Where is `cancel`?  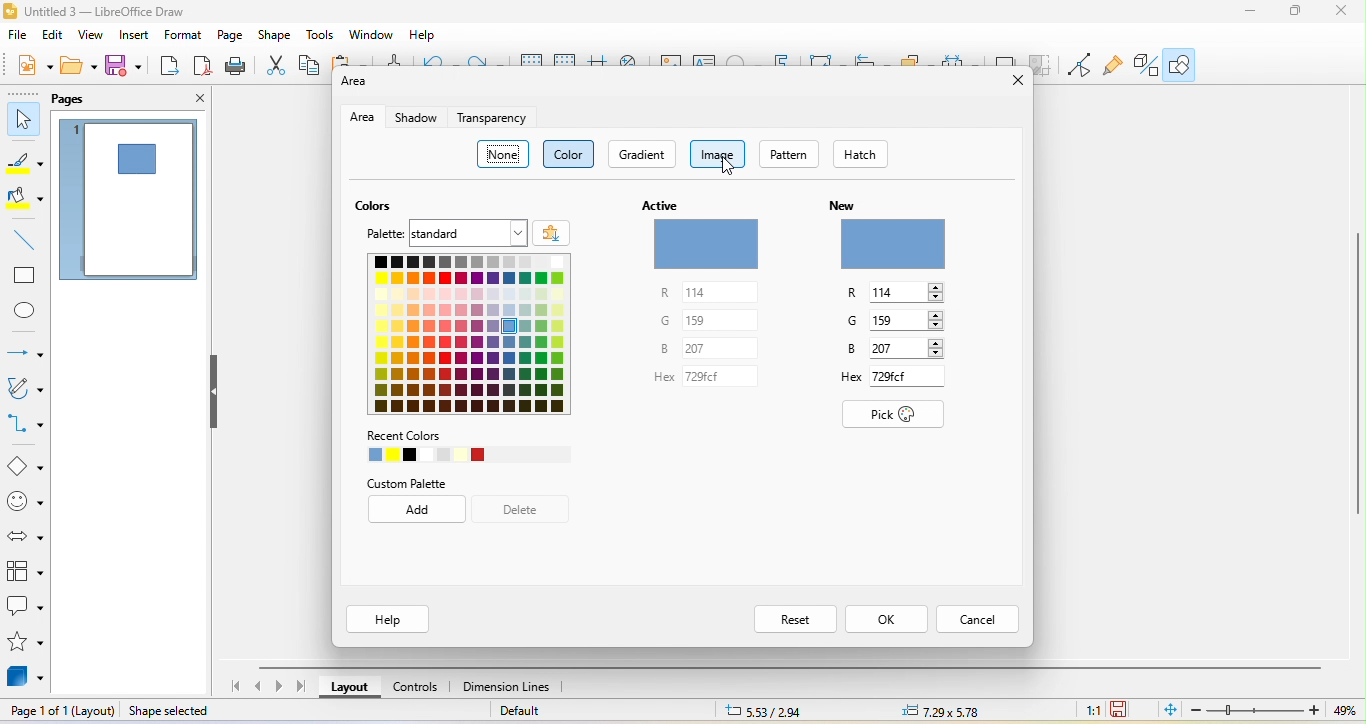 cancel is located at coordinates (979, 618).